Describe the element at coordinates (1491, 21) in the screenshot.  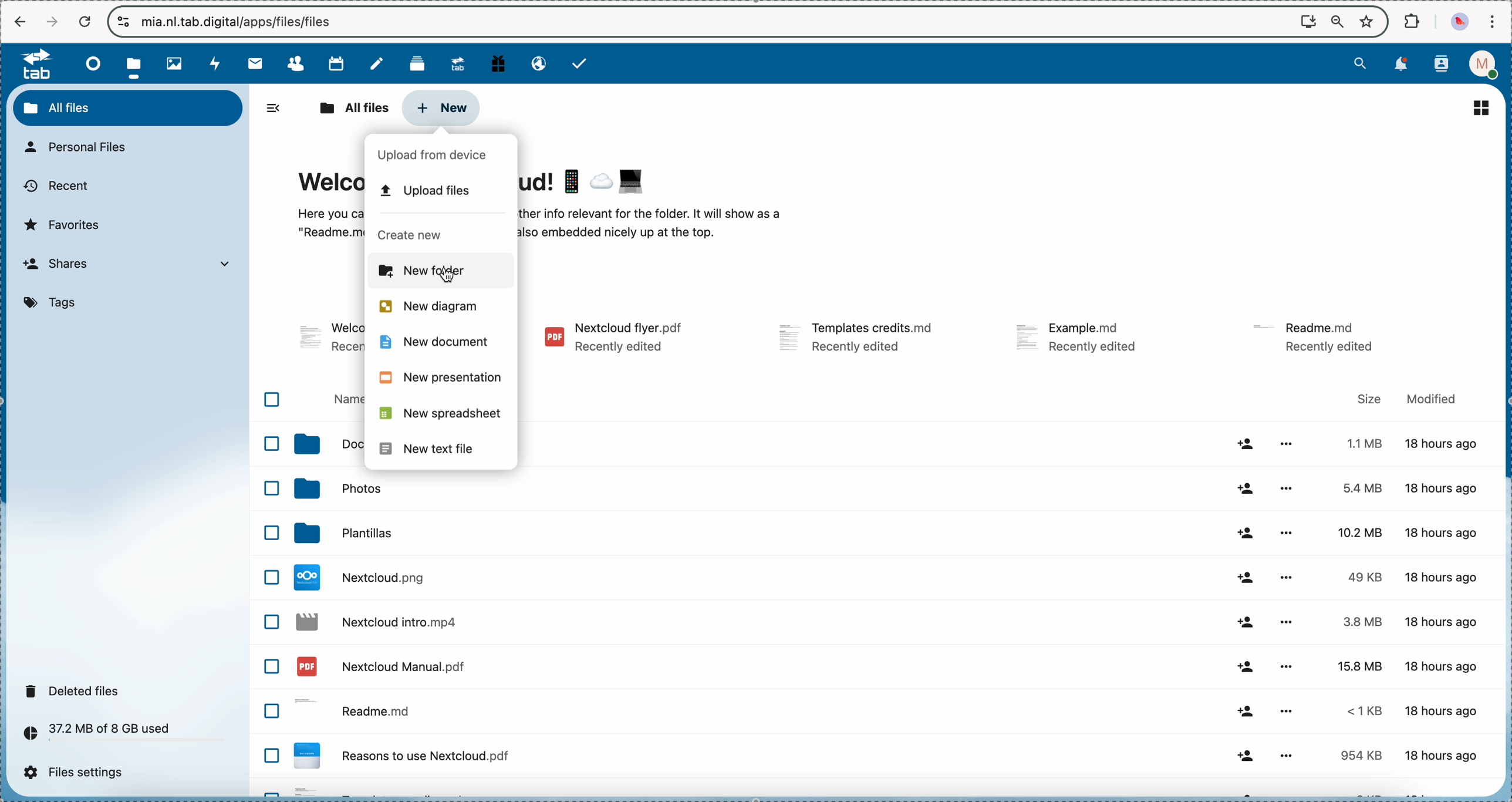
I see `customize and control Google Chrome` at that location.